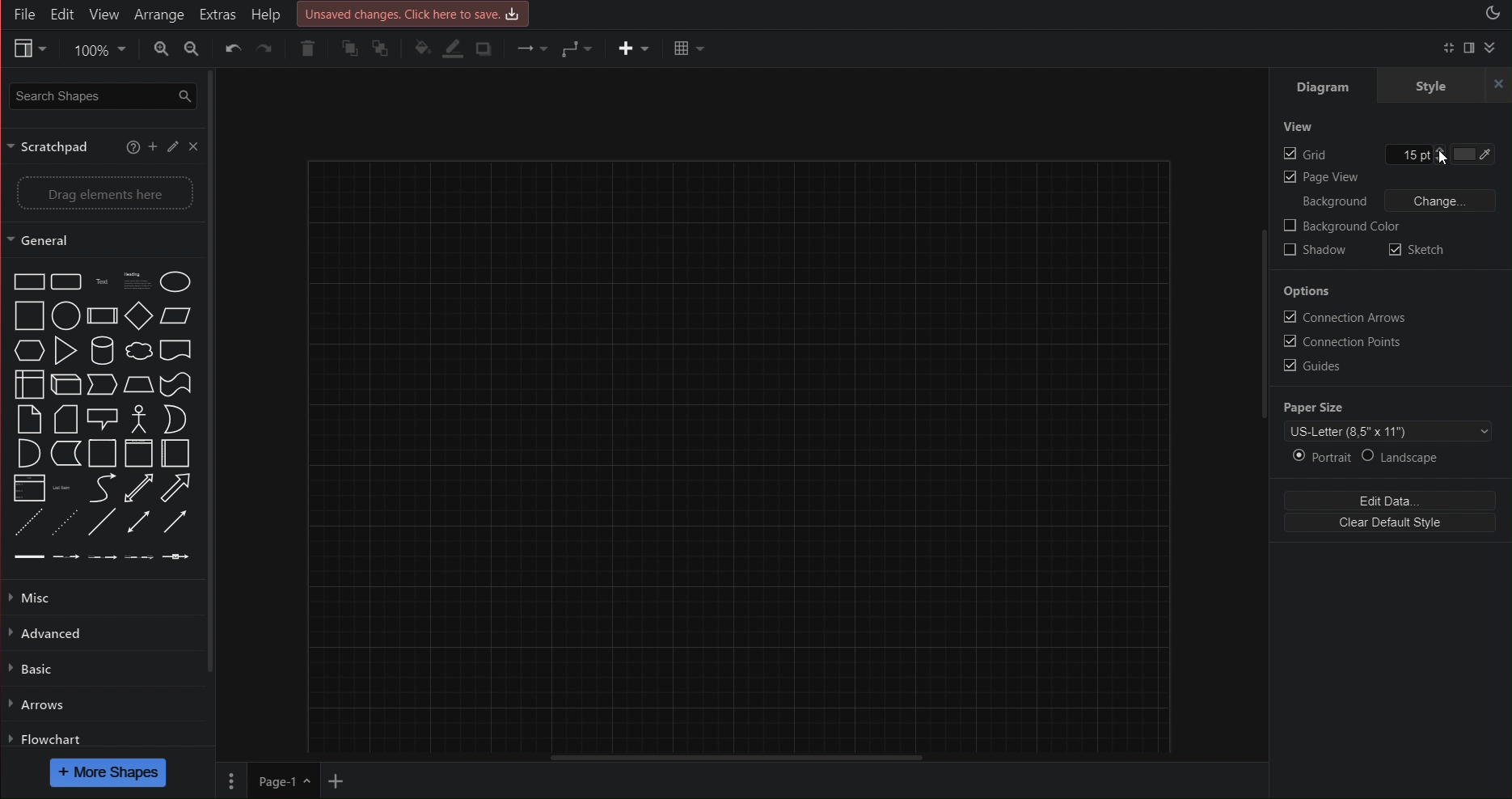 The image size is (1512, 799). Describe the element at coordinates (218, 14) in the screenshot. I see `Extras` at that location.